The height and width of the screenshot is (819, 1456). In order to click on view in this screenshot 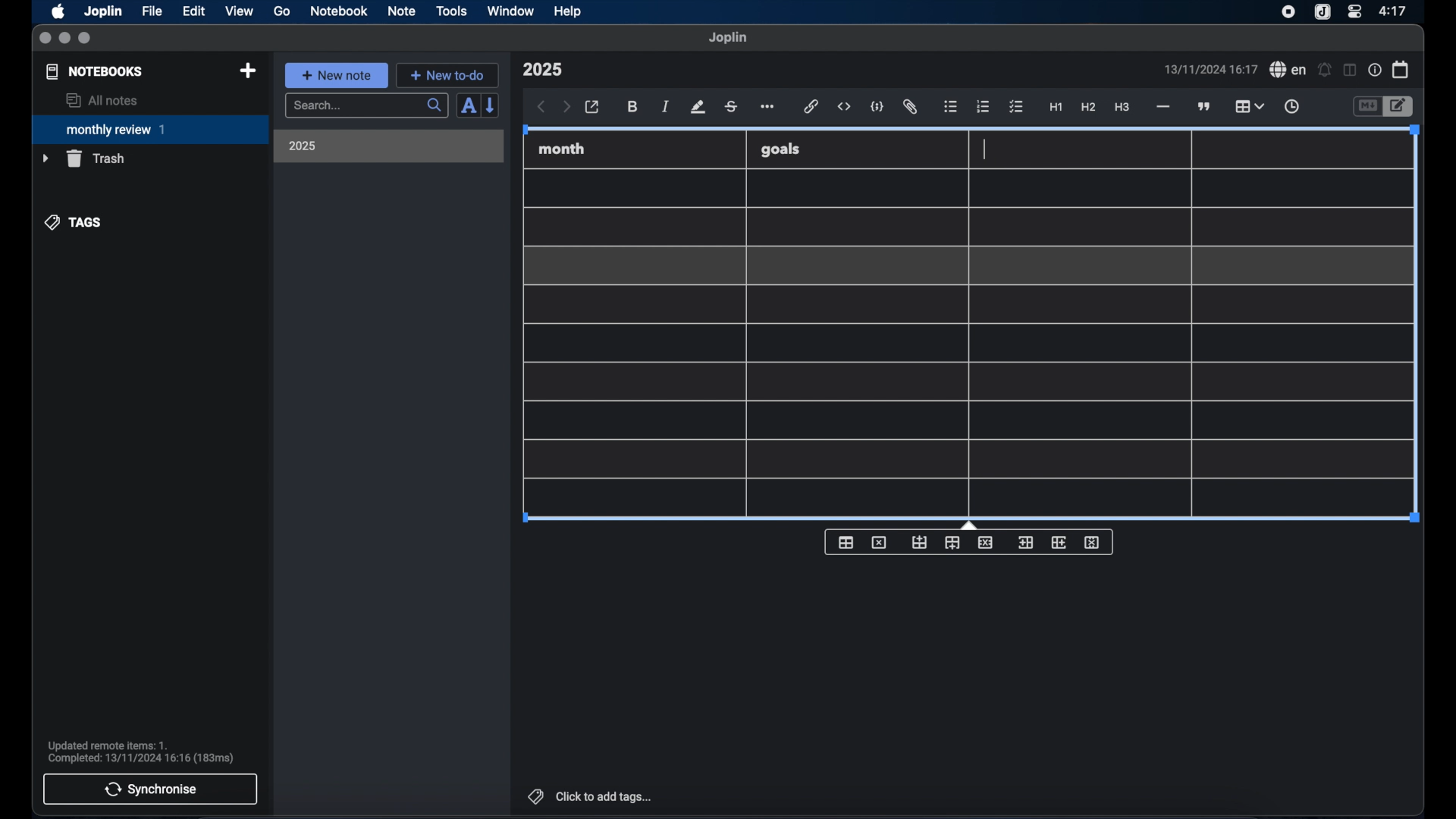, I will do `click(239, 11)`.